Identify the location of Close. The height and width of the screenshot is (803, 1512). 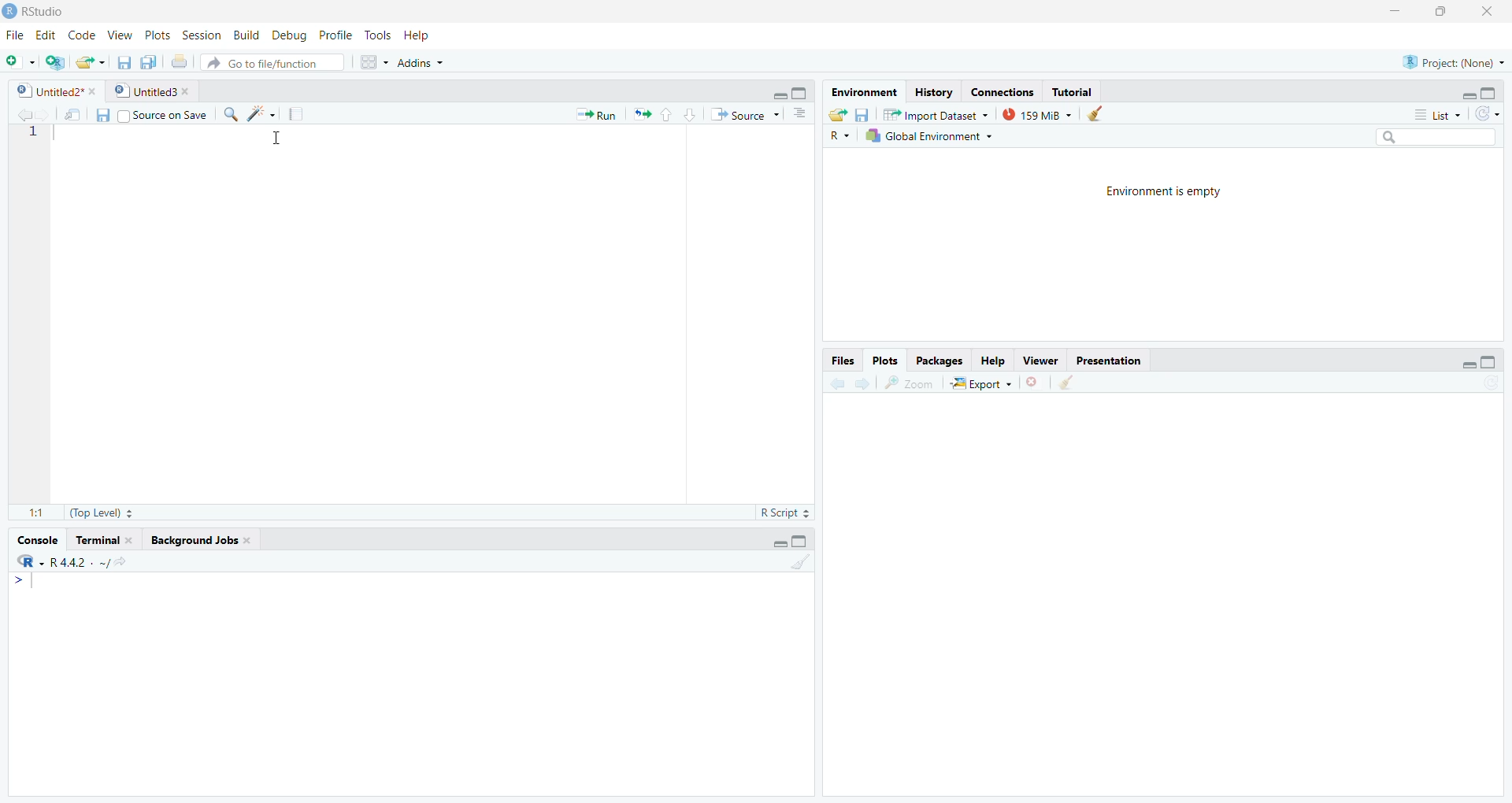
(1487, 13).